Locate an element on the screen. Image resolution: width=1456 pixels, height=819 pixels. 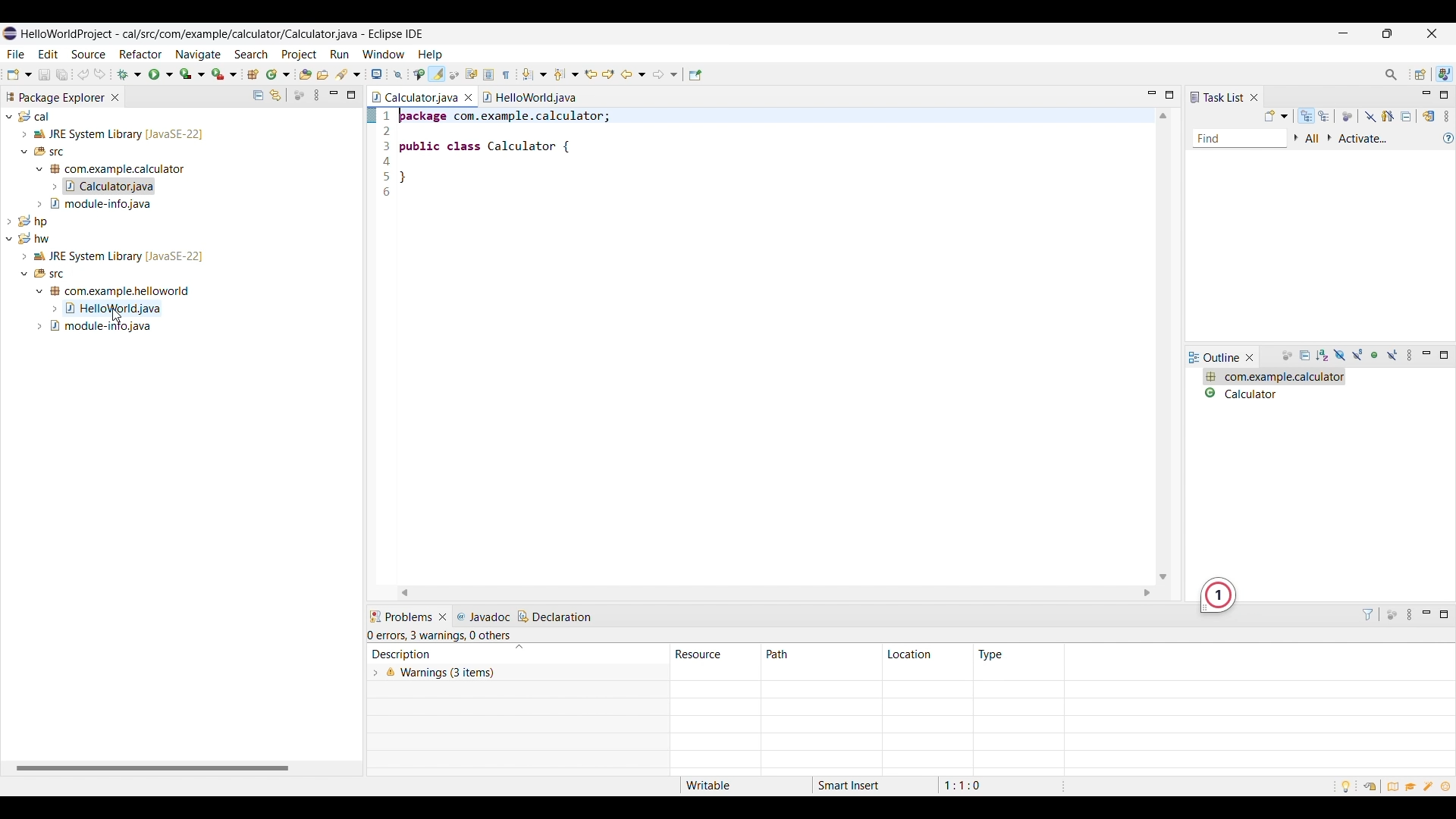
Previous edit location is located at coordinates (591, 75).